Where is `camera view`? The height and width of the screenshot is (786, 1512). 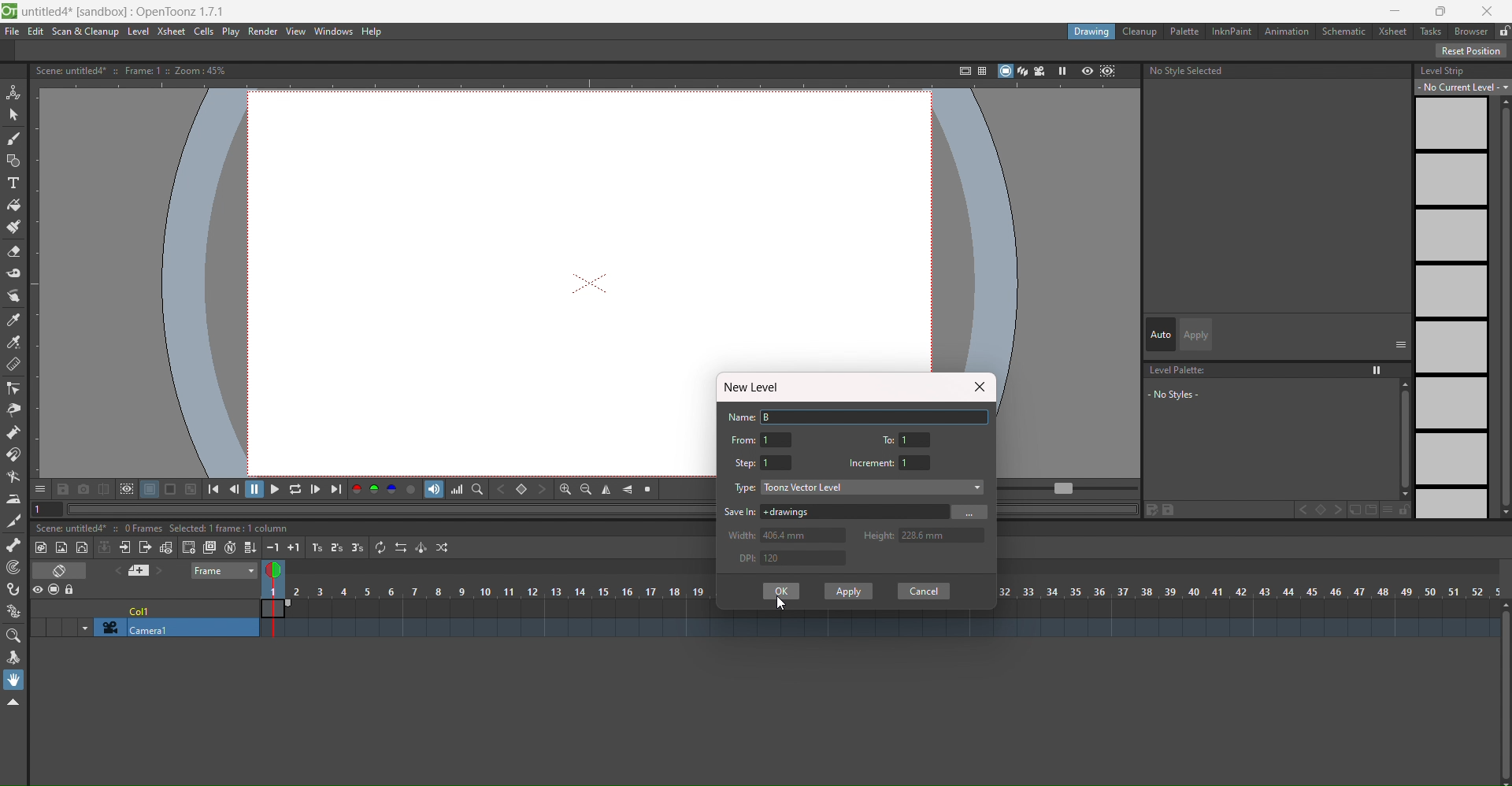 camera view is located at coordinates (1040, 71).